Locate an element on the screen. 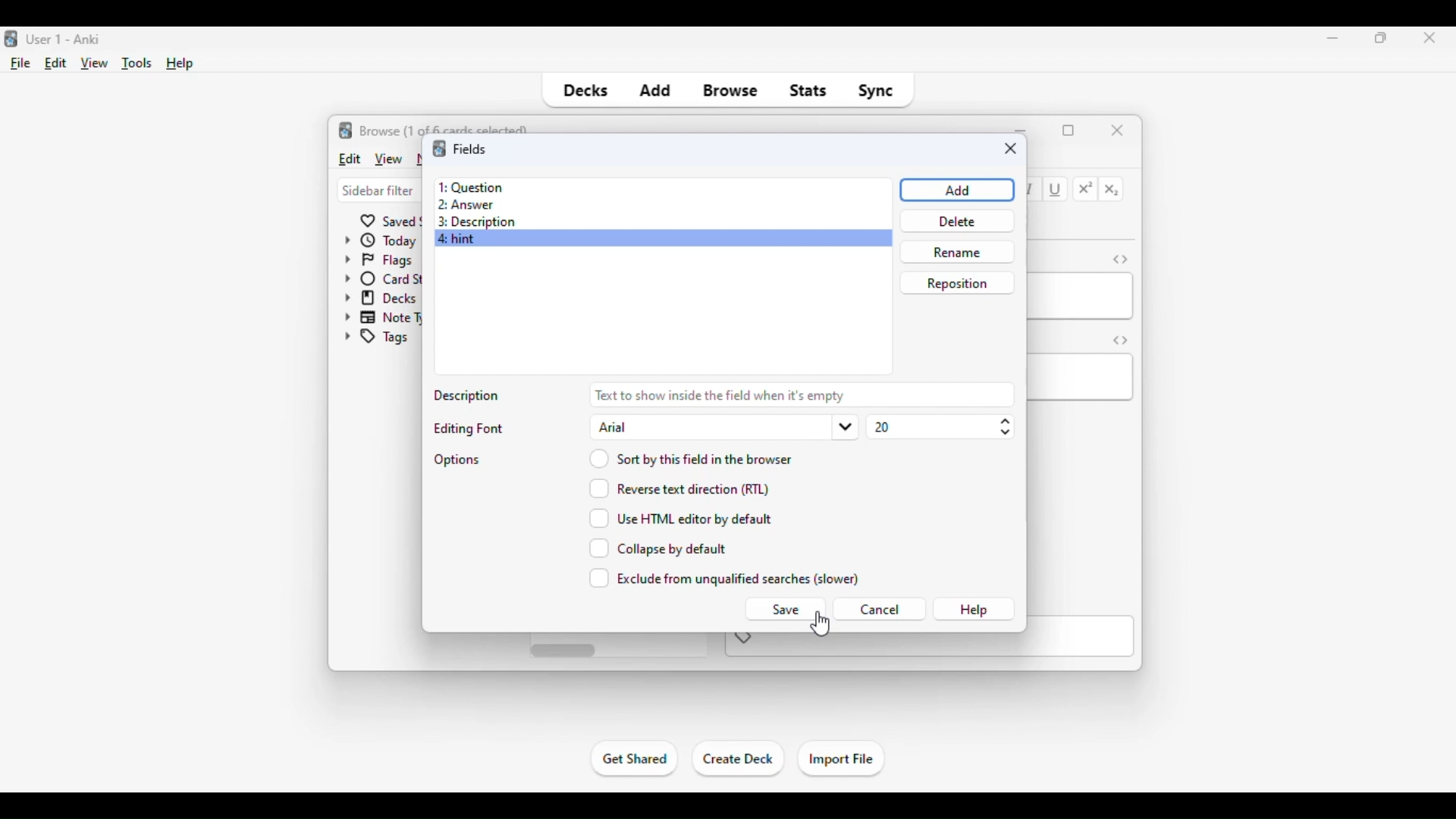 The height and width of the screenshot is (819, 1456). close is located at coordinates (1425, 39).